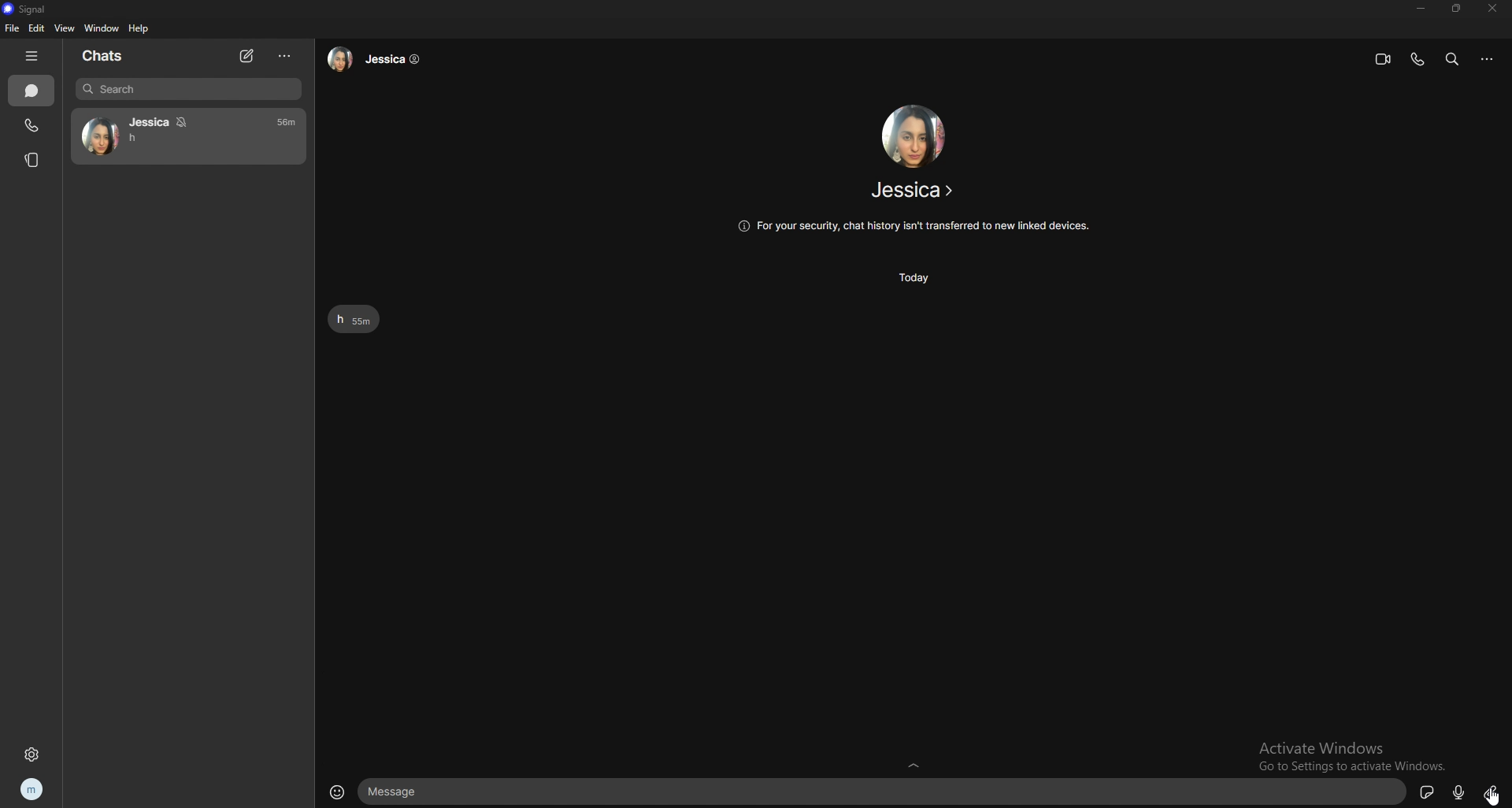 The width and height of the screenshot is (1512, 808). Describe the element at coordinates (355, 320) in the screenshot. I see `text` at that location.